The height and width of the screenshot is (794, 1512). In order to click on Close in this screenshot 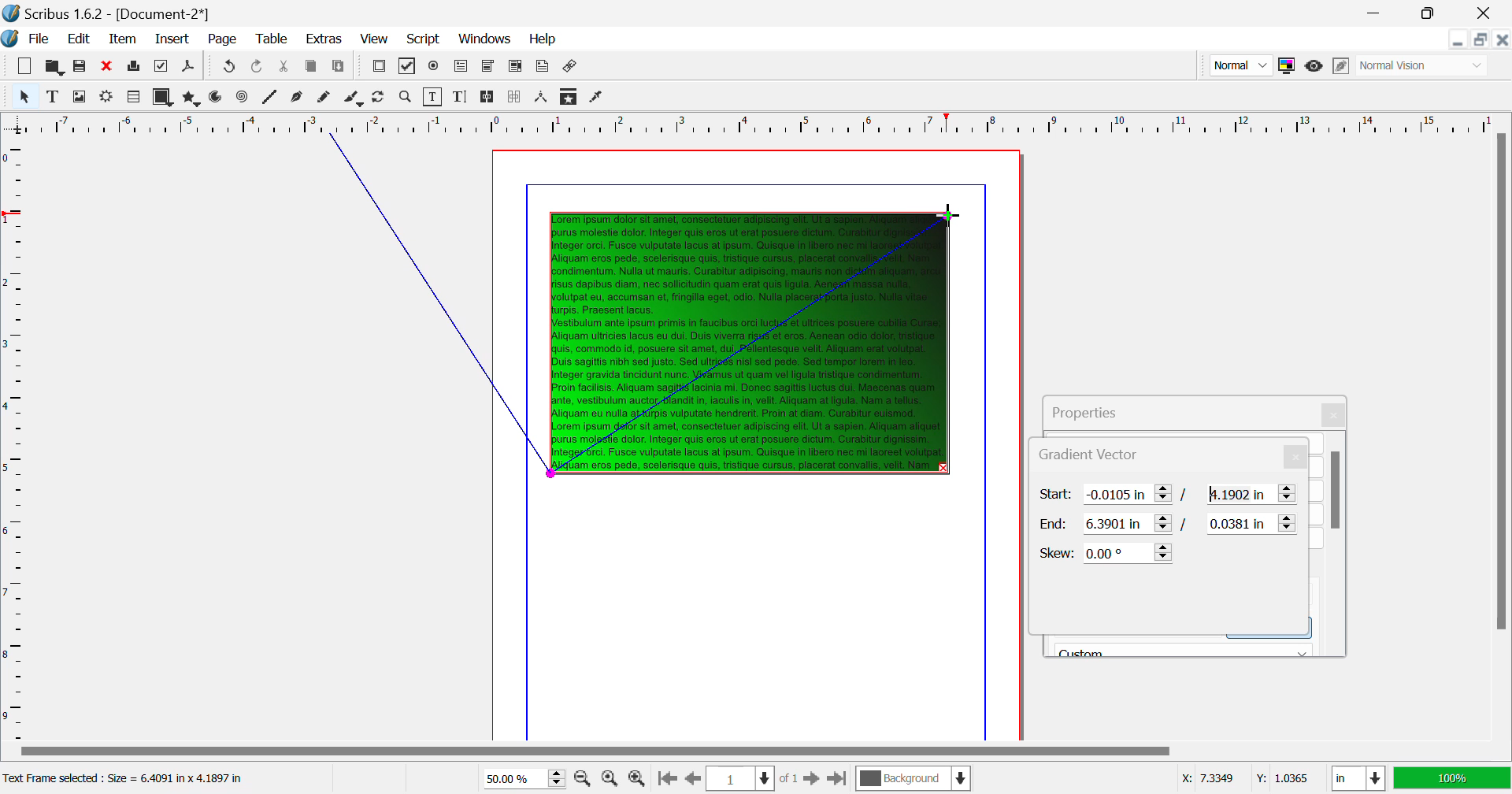, I will do `click(1503, 39)`.